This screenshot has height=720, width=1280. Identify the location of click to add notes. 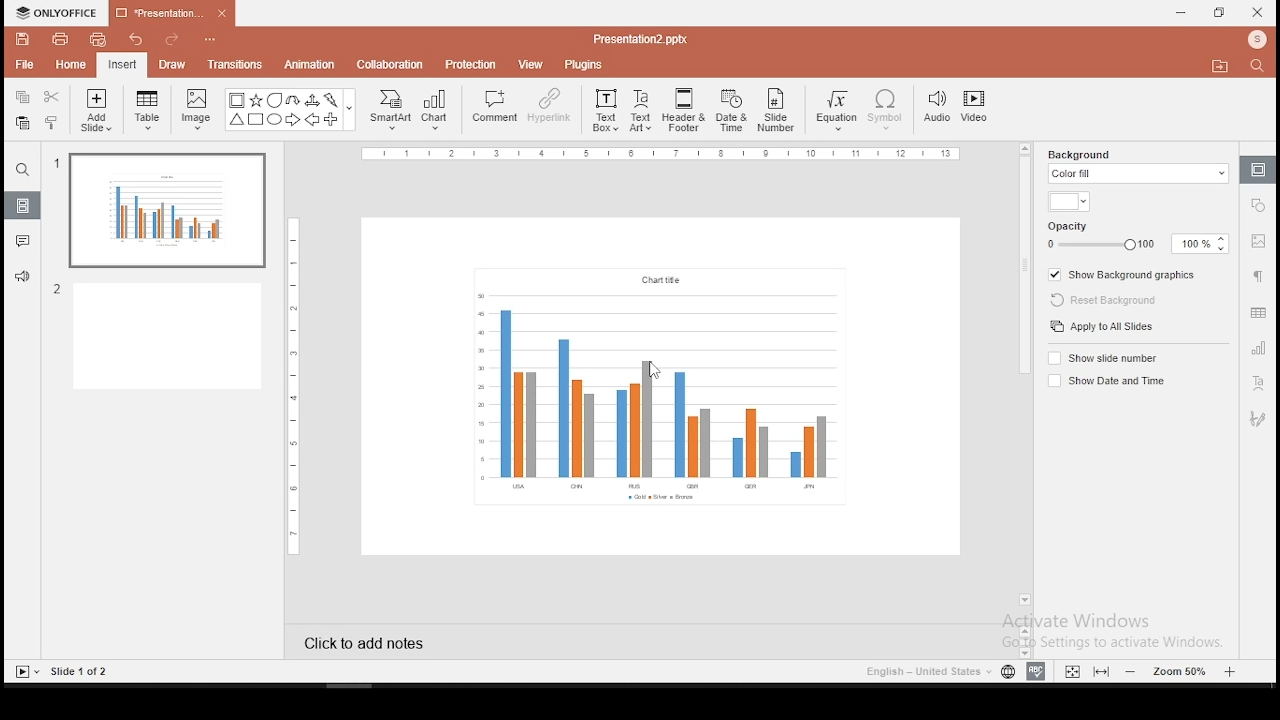
(366, 642).